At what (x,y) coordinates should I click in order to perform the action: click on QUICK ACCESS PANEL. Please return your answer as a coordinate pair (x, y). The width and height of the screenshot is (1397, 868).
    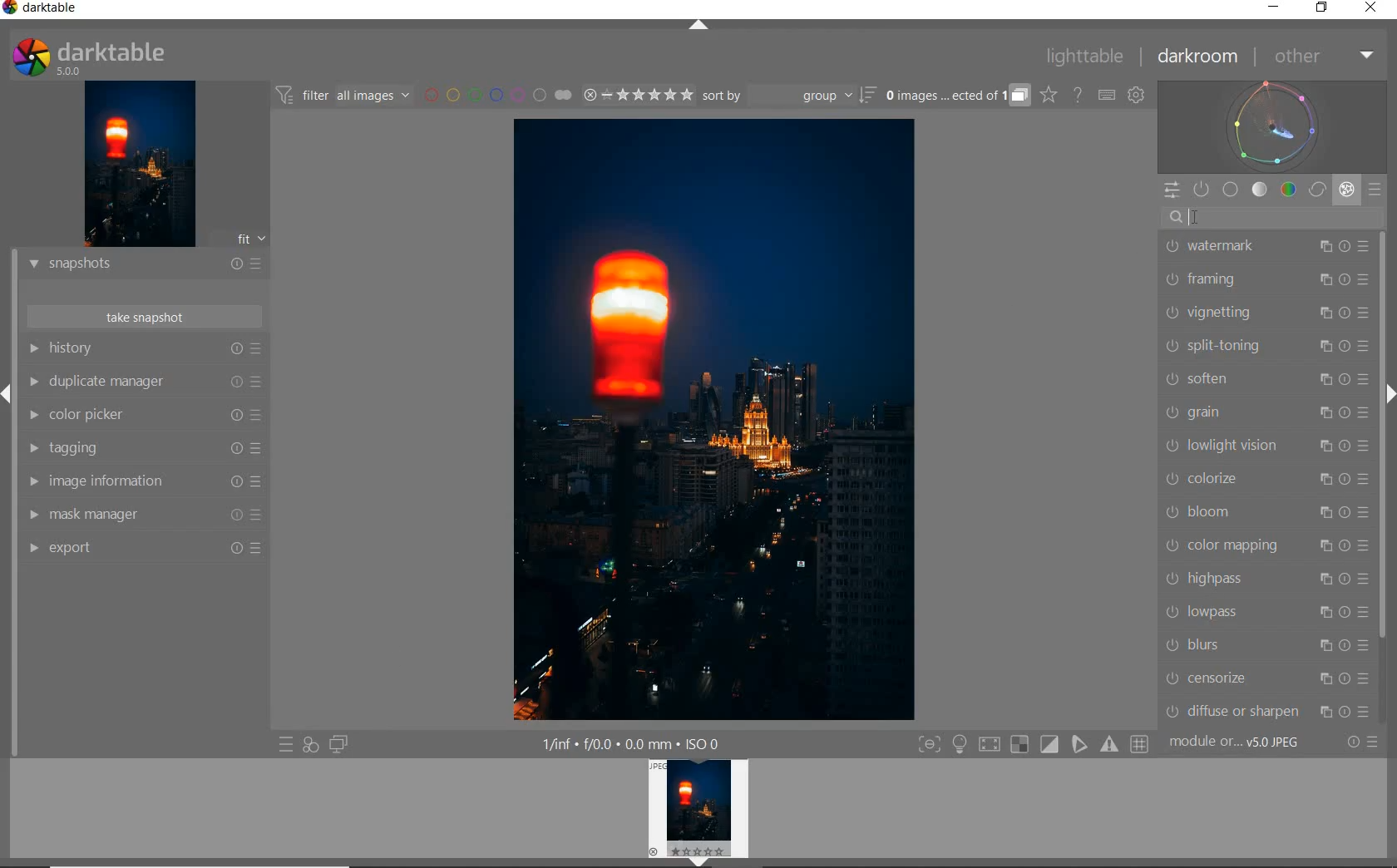
    Looking at the image, I should click on (1169, 186).